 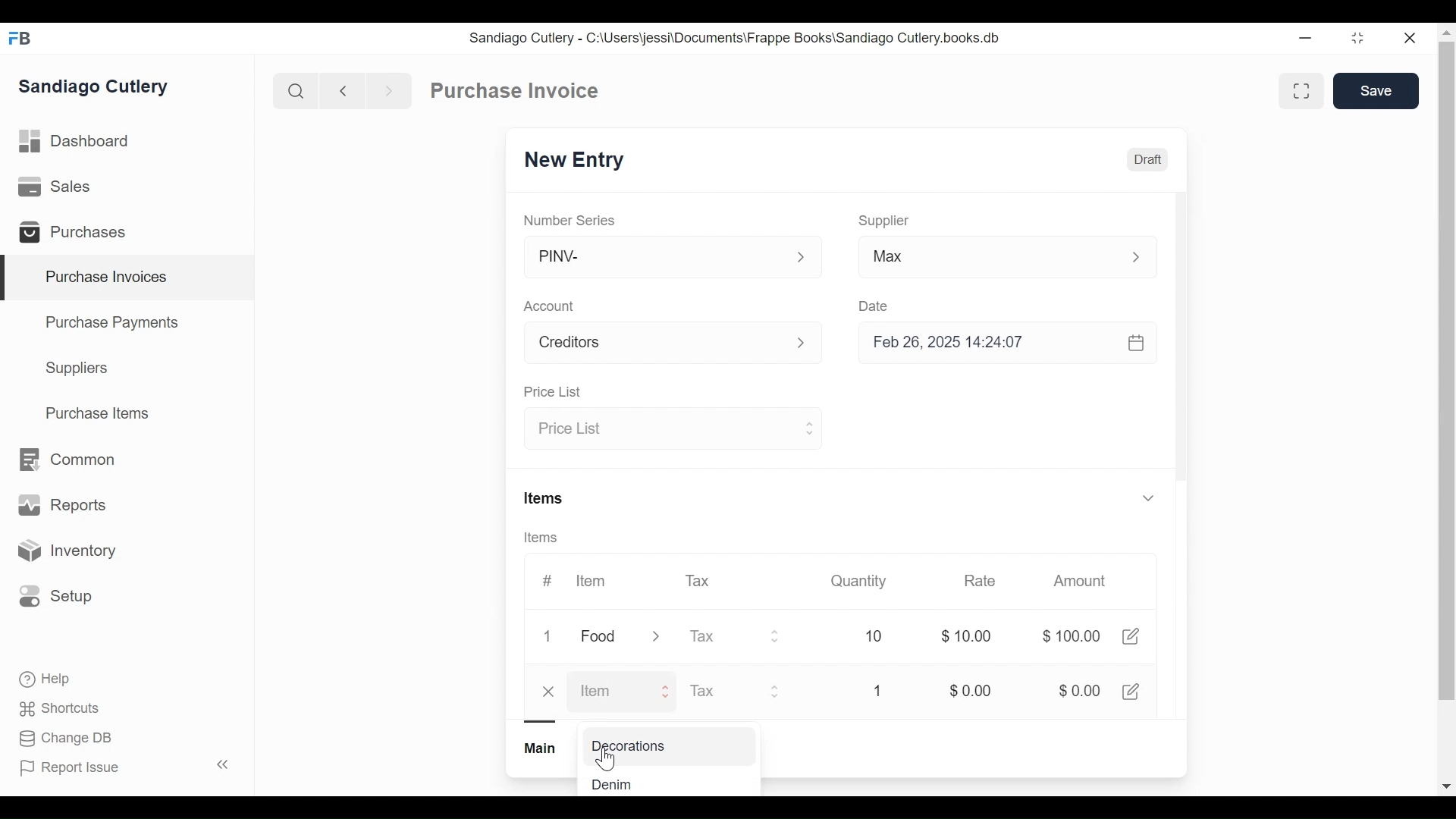 What do you see at coordinates (777, 636) in the screenshot?
I see `Expand` at bounding box center [777, 636].